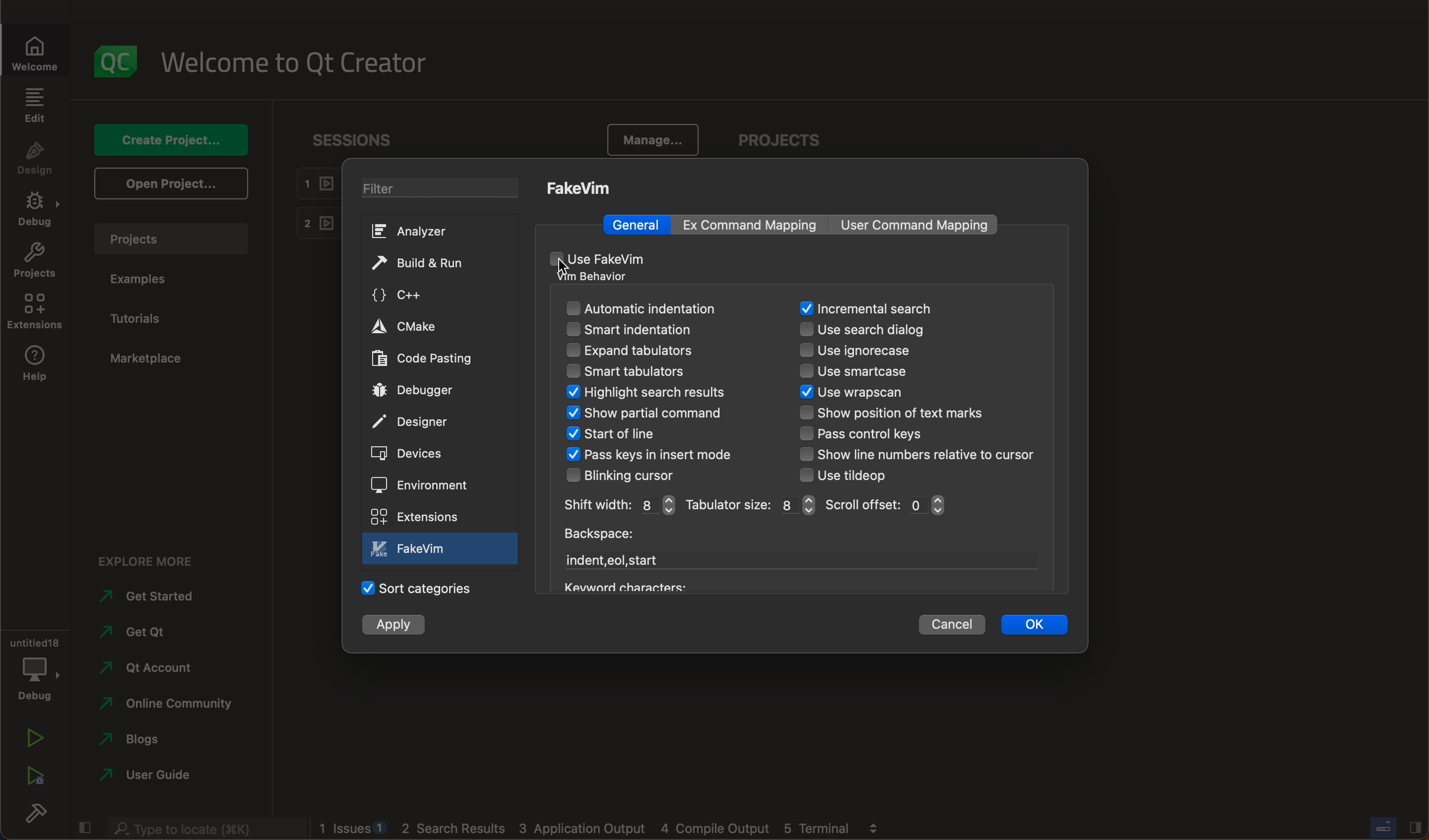 This screenshot has width=1429, height=840. What do you see at coordinates (143, 278) in the screenshot?
I see `examples` at bounding box center [143, 278].